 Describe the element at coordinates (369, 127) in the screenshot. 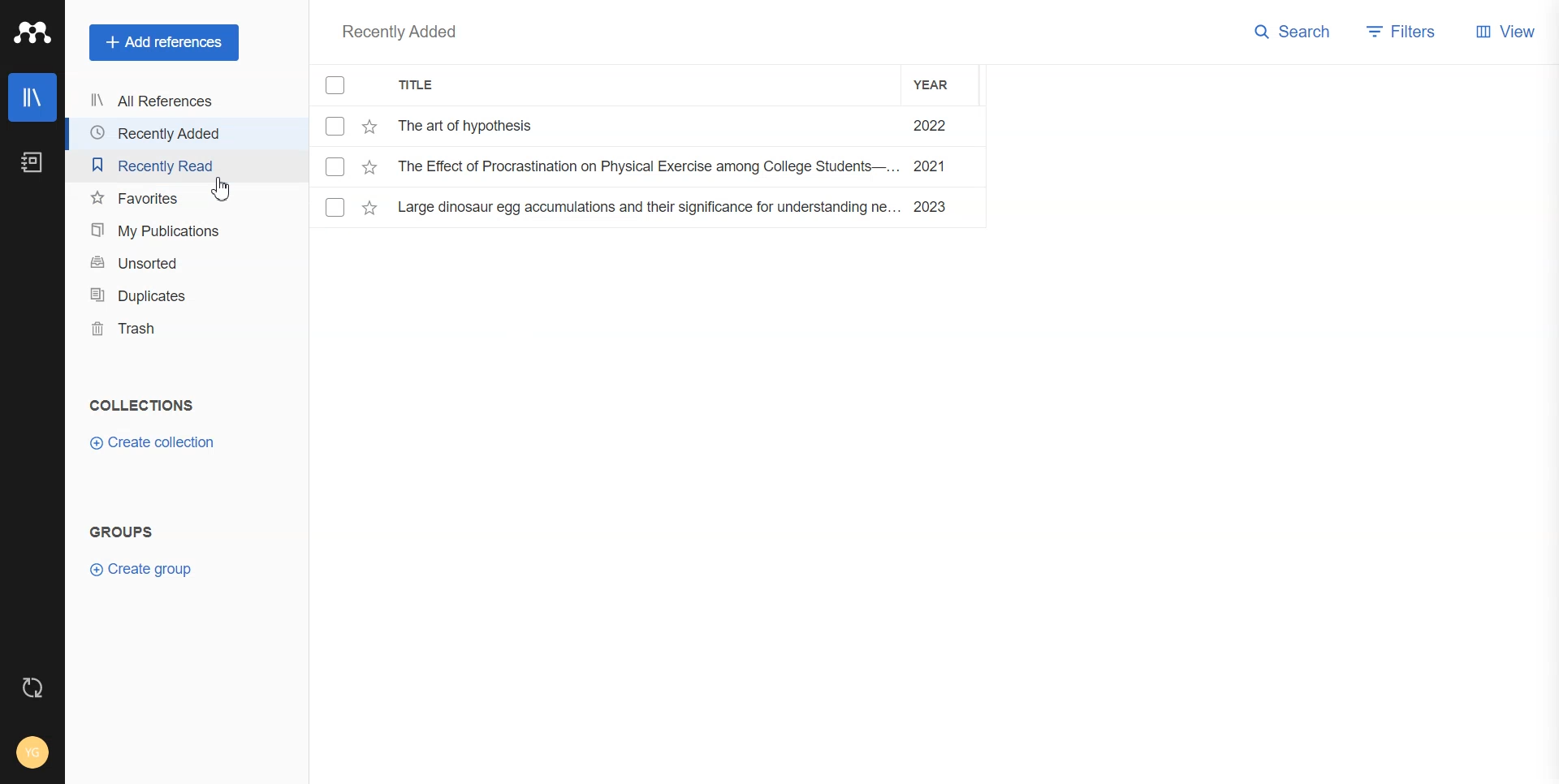

I see `Starred` at that location.